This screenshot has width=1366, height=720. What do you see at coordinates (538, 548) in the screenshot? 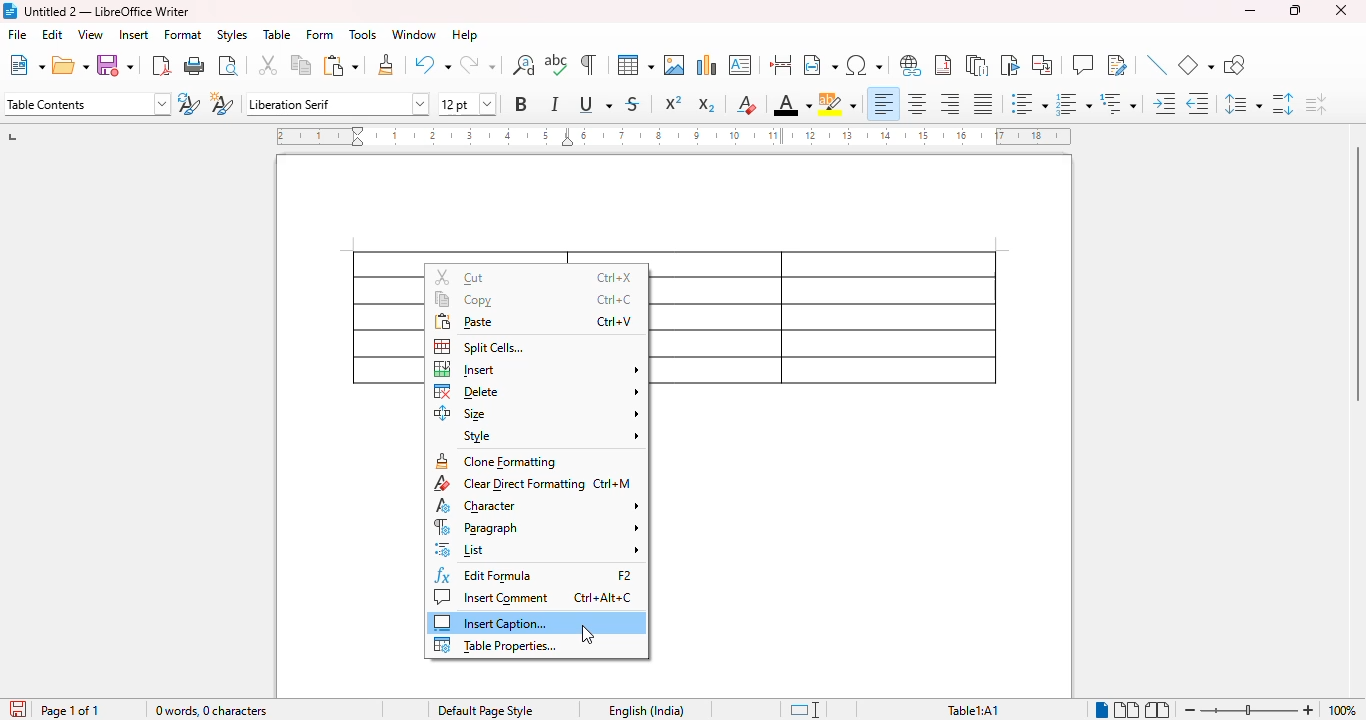
I see `list` at bounding box center [538, 548].